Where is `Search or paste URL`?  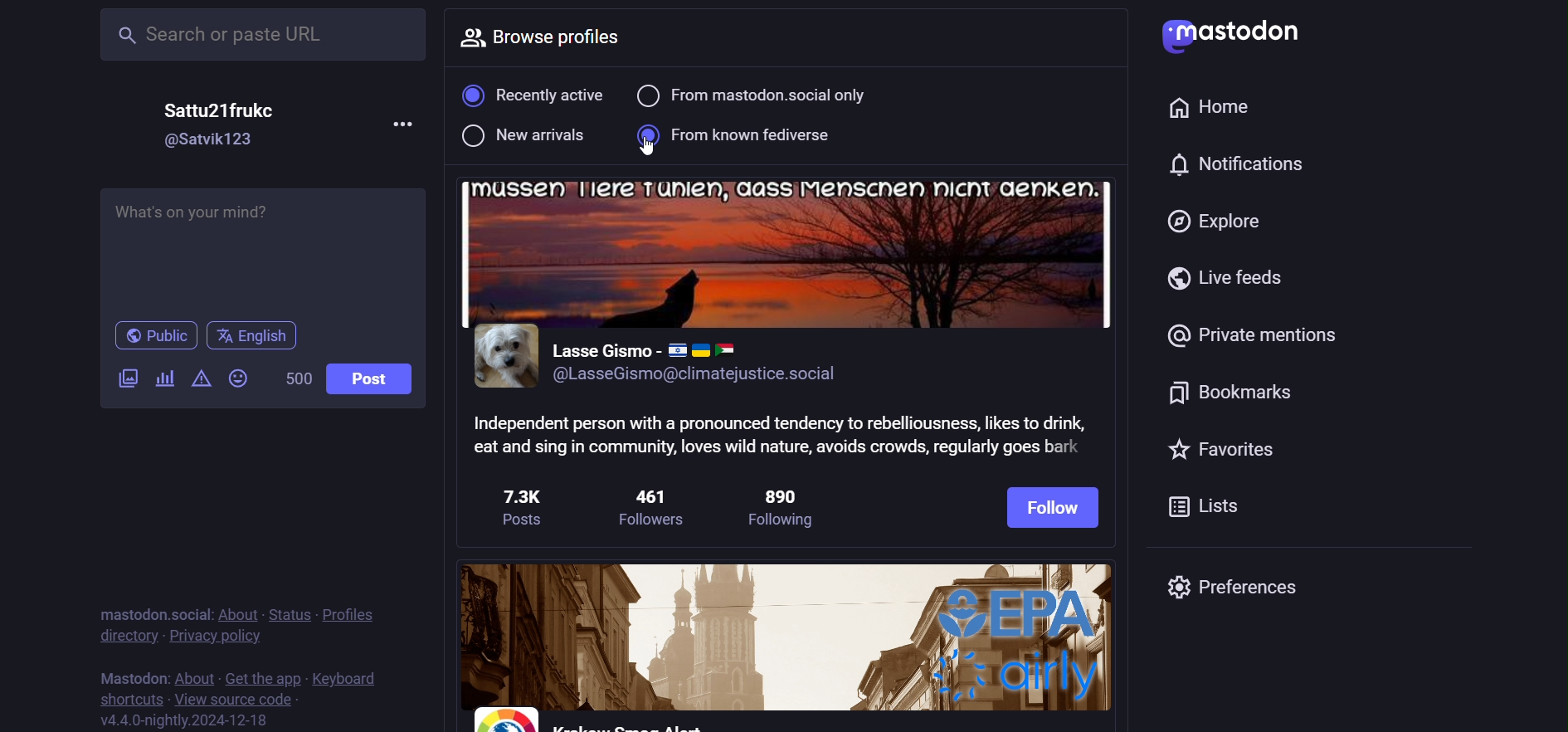 Search or paste URL is located at coordinates (265, 36).